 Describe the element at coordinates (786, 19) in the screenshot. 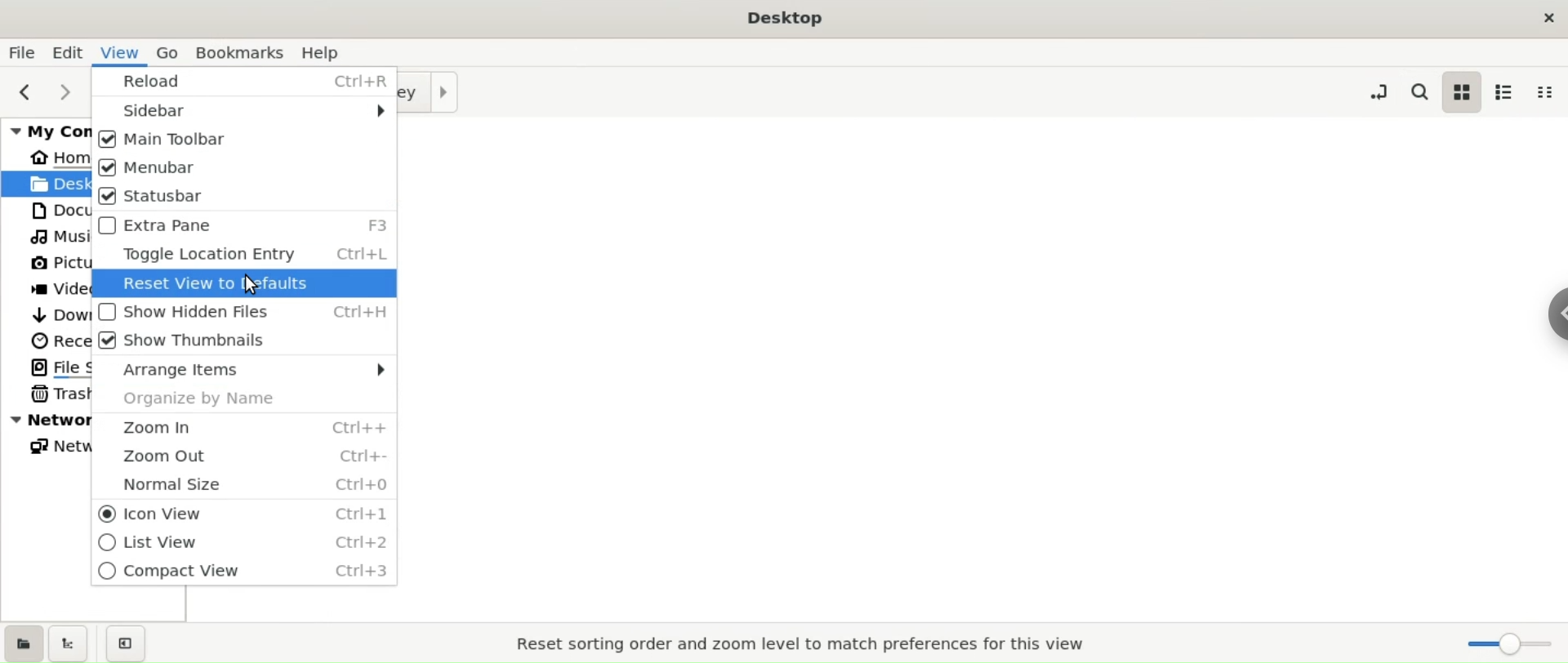

I see `Desktop` at that location.